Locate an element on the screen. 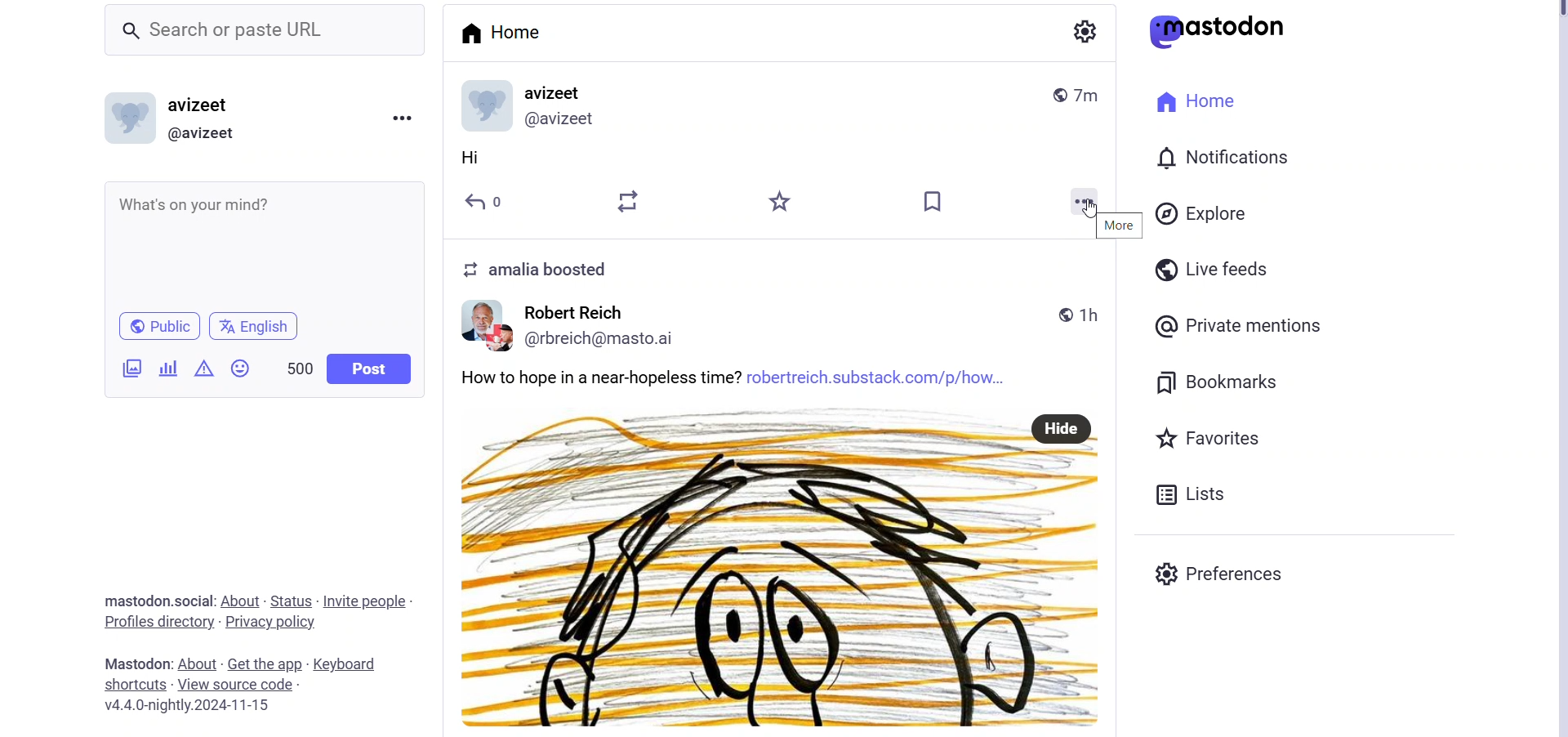  Profile Photo is located at coordinates (131, 115).